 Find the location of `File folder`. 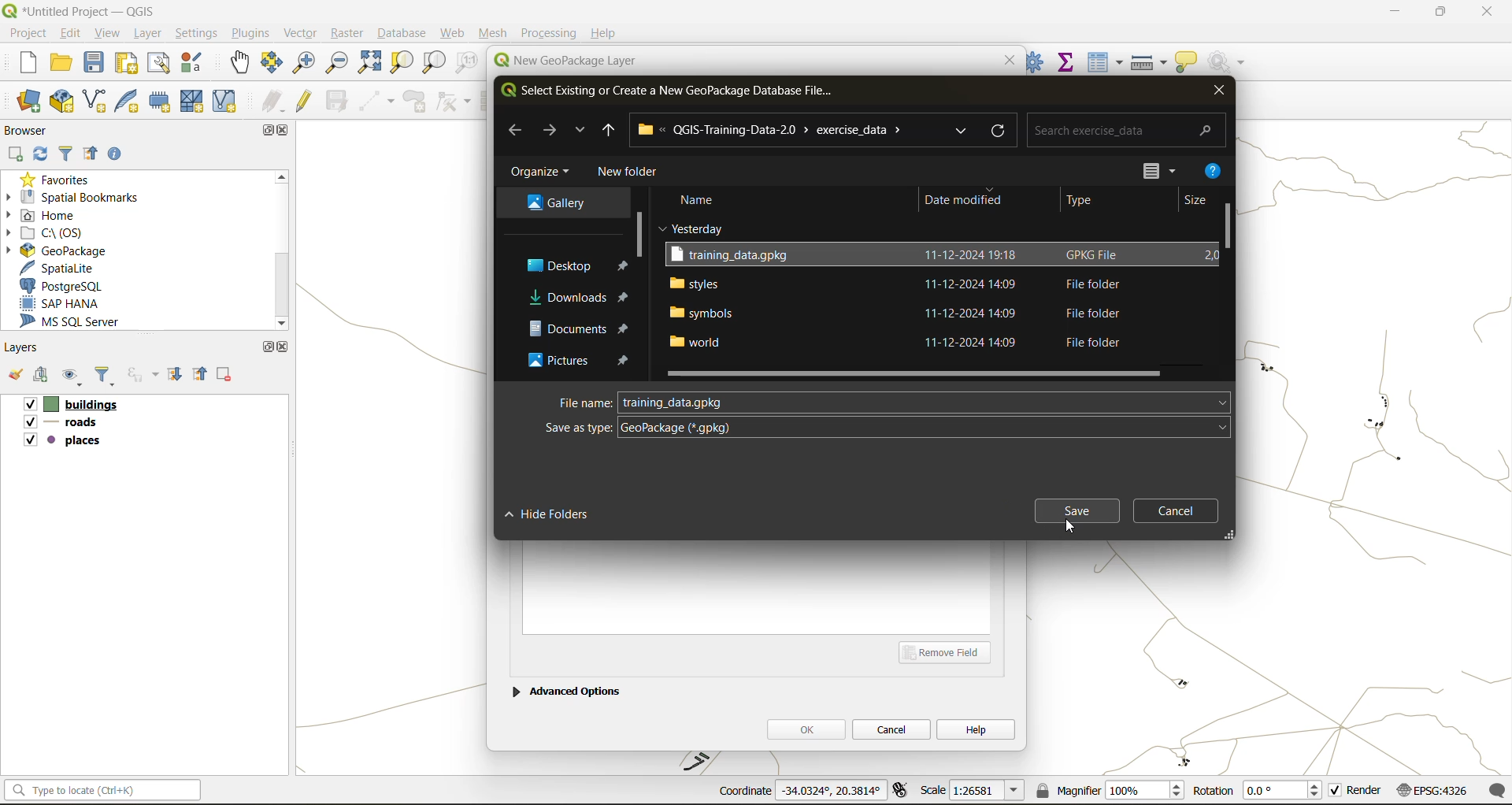

File folder is located at coordinates (1088, 313).